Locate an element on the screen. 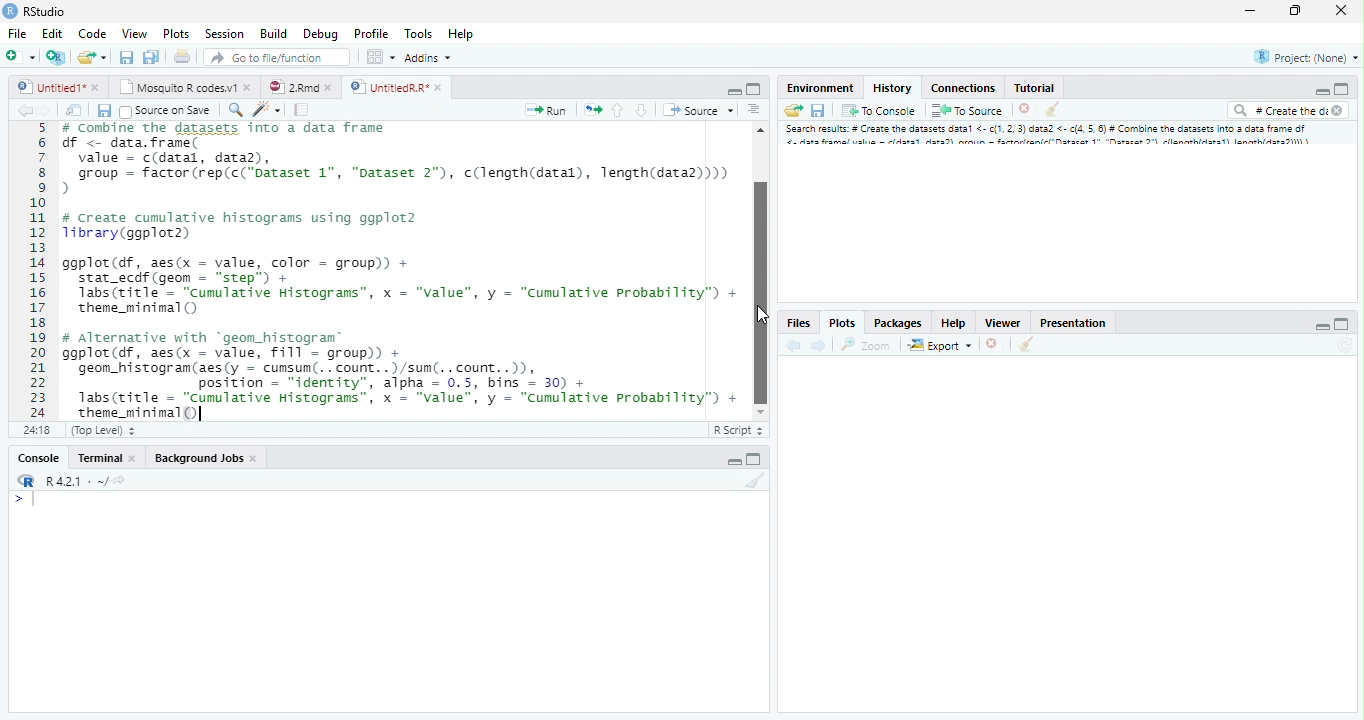  back is located at coordinates (794, 347).